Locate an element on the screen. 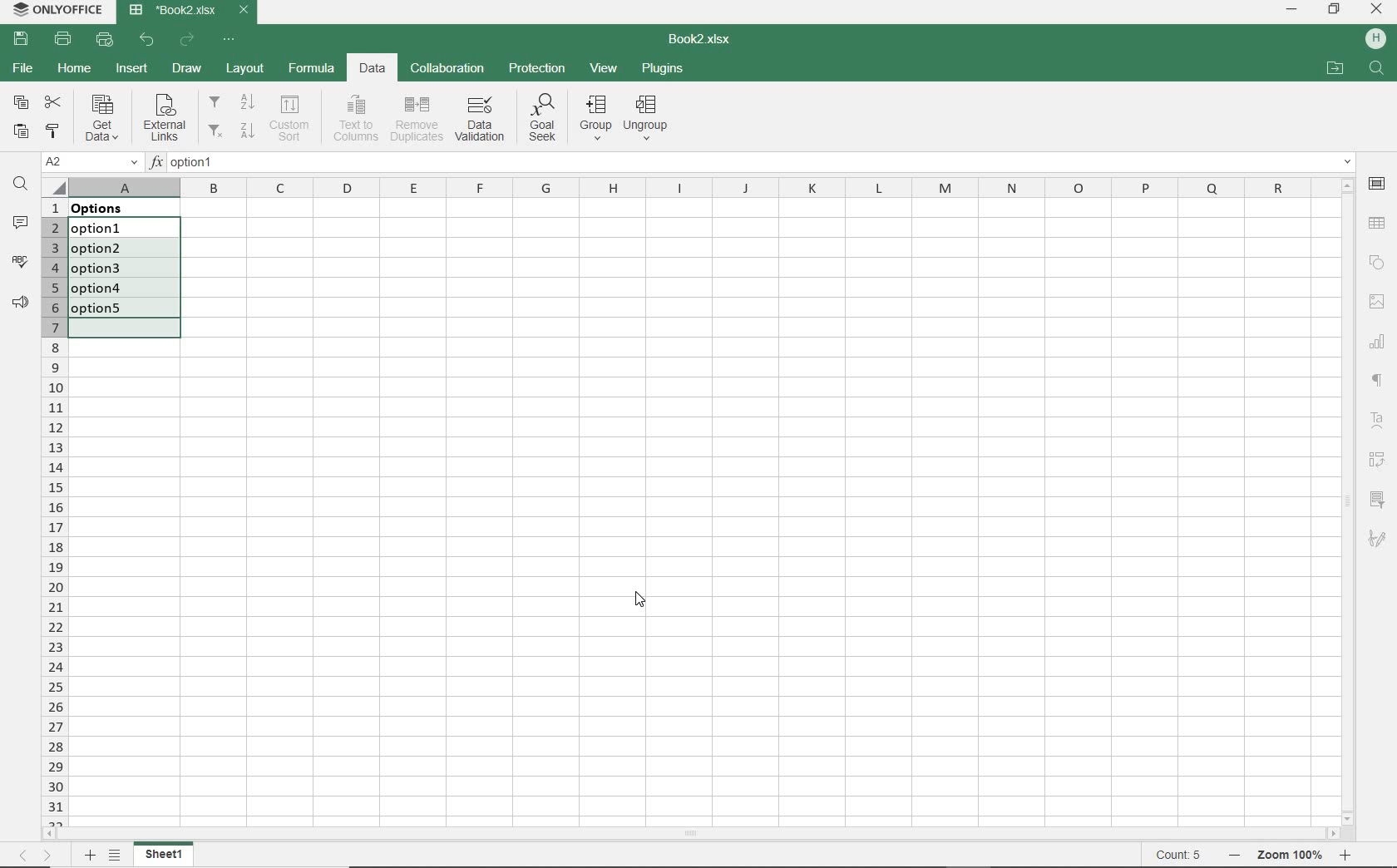 This screenshot has height=868, width=1397. CELL SETTINGS is located at coordinates (1377, 185).